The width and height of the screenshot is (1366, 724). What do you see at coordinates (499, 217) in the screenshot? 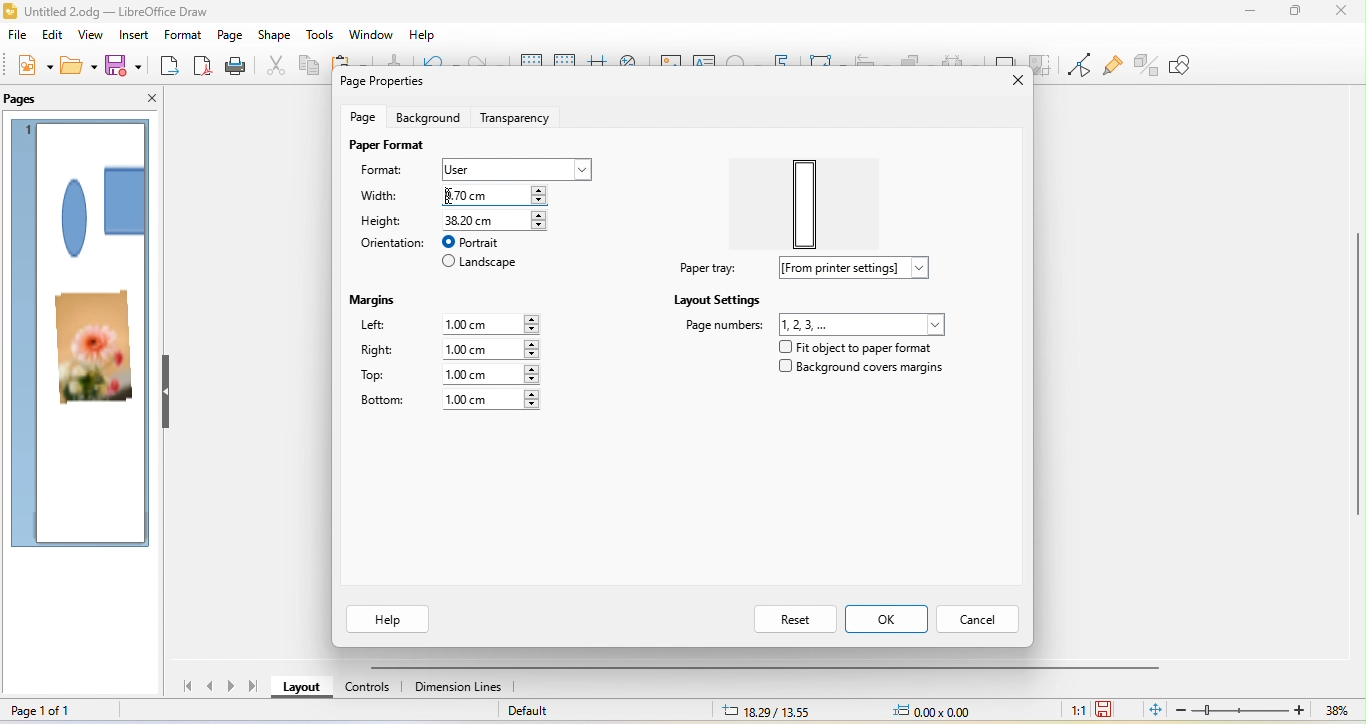
I see `38.20 cm` at bounding box center [499, 217].